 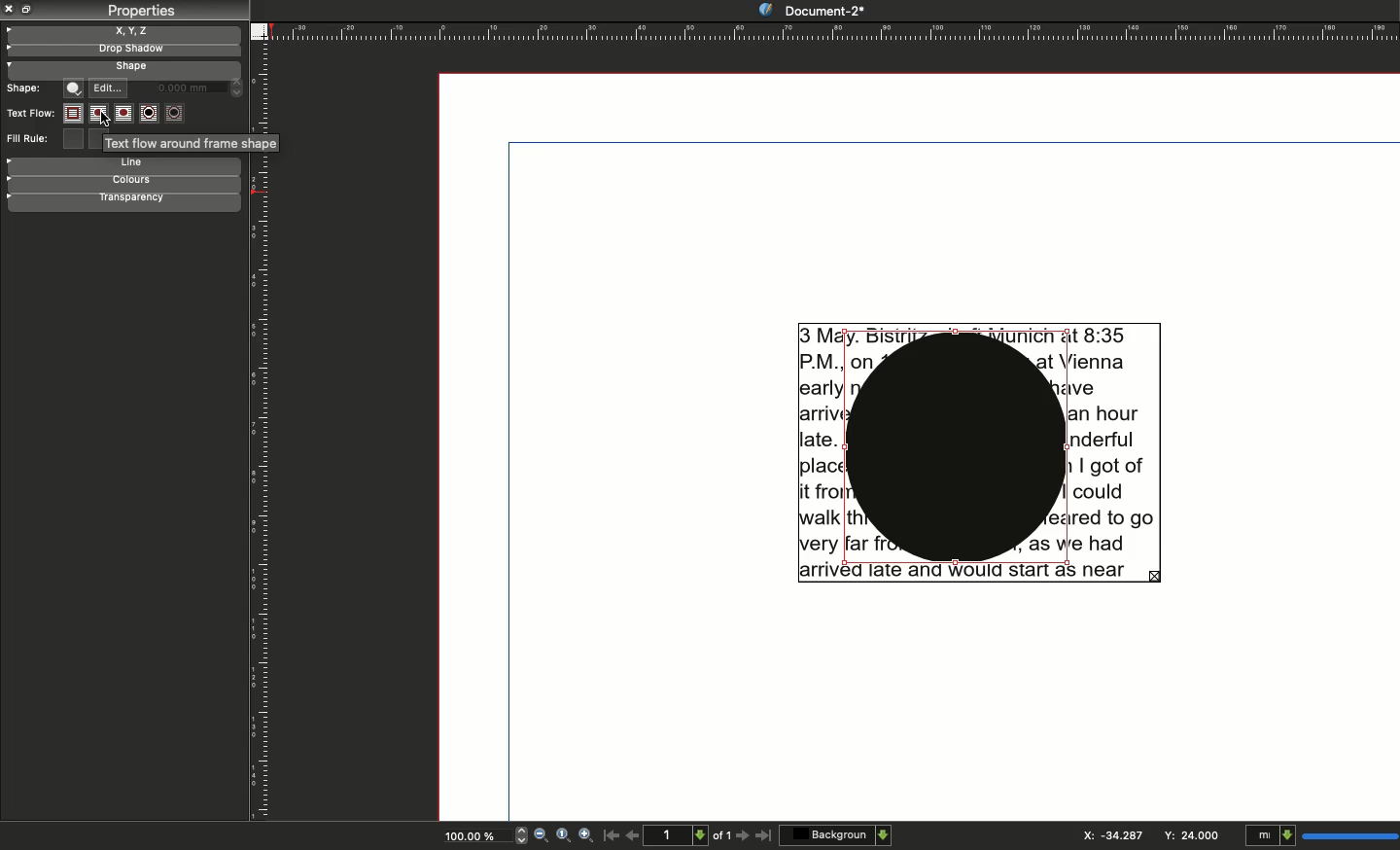 I want to click on Next page, so click(x=743, y=836).